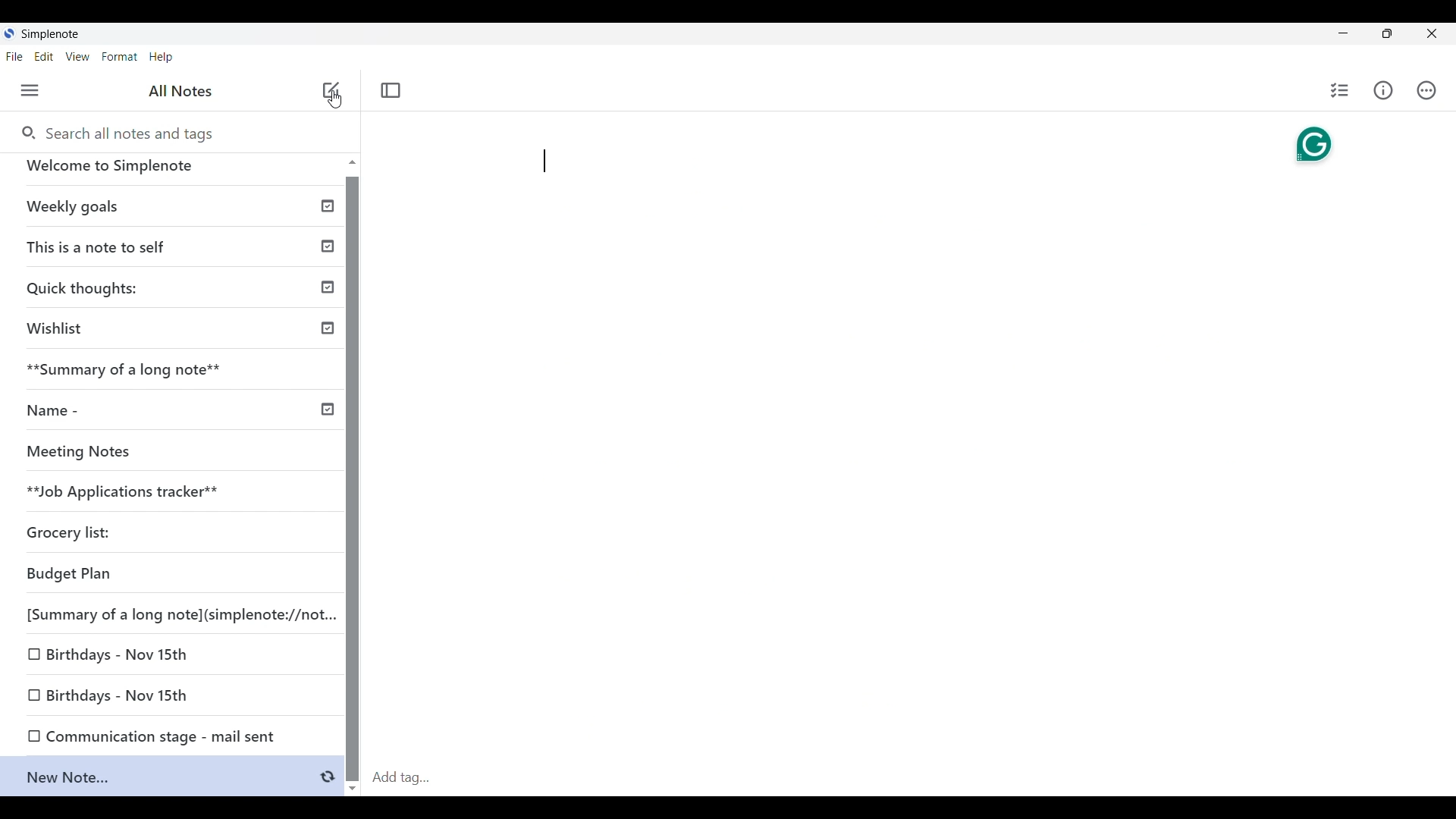 This screenshot has height=819, width=1456. What do you see at coordinates (162, 57) in the screenshot?
I see `Help menu` at bounding box center [162, 57].